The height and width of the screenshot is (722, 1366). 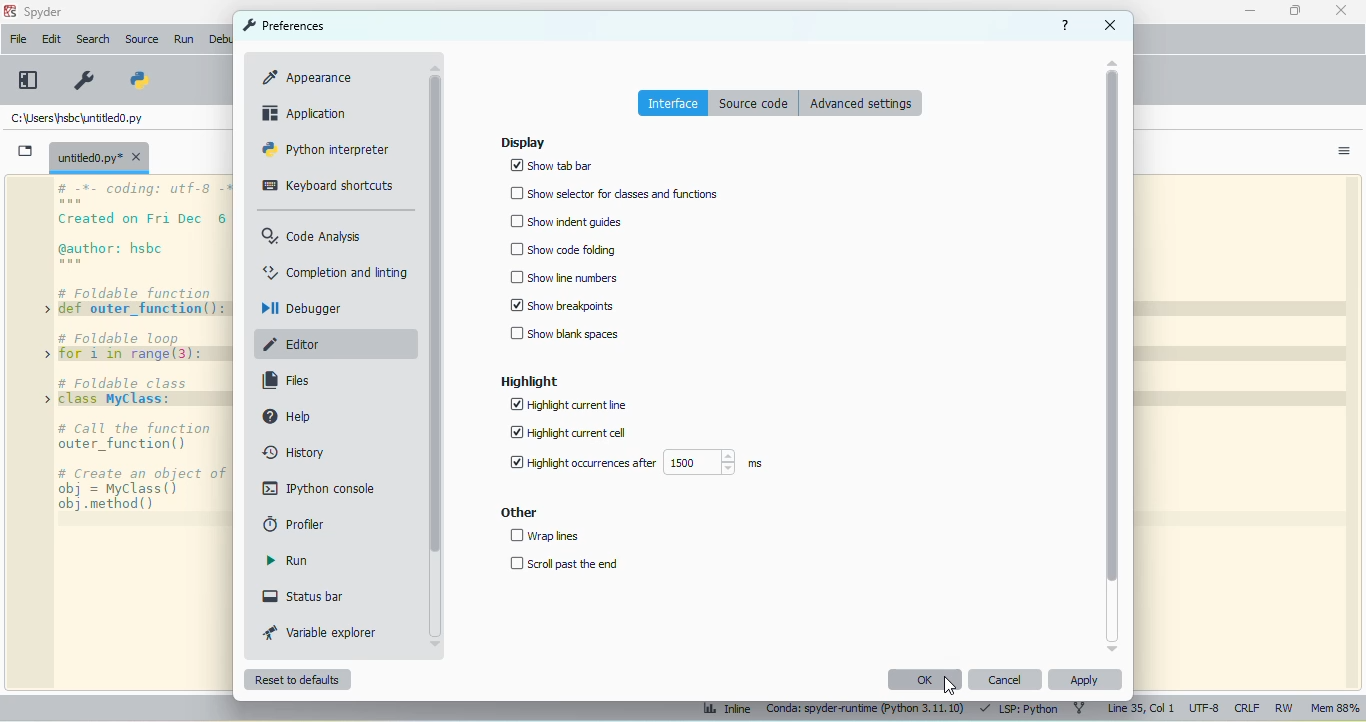 I want to click on logo, so click(x=10, y=11).